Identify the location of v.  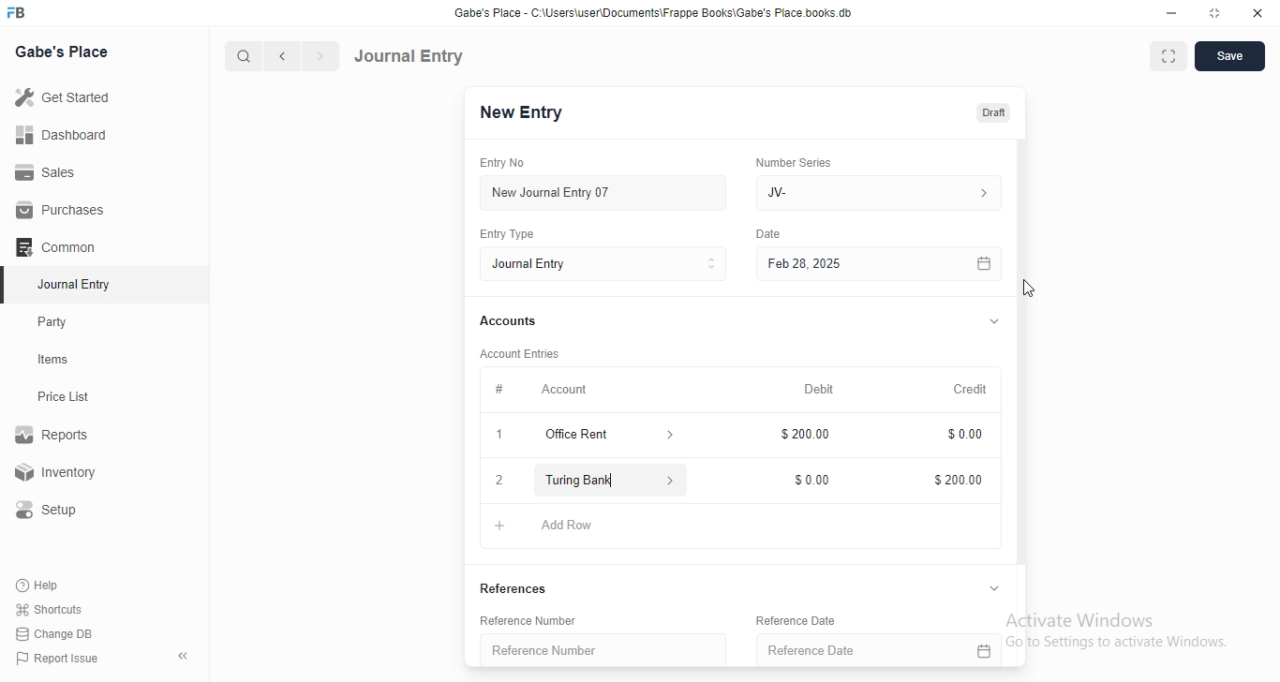
(998, 586).